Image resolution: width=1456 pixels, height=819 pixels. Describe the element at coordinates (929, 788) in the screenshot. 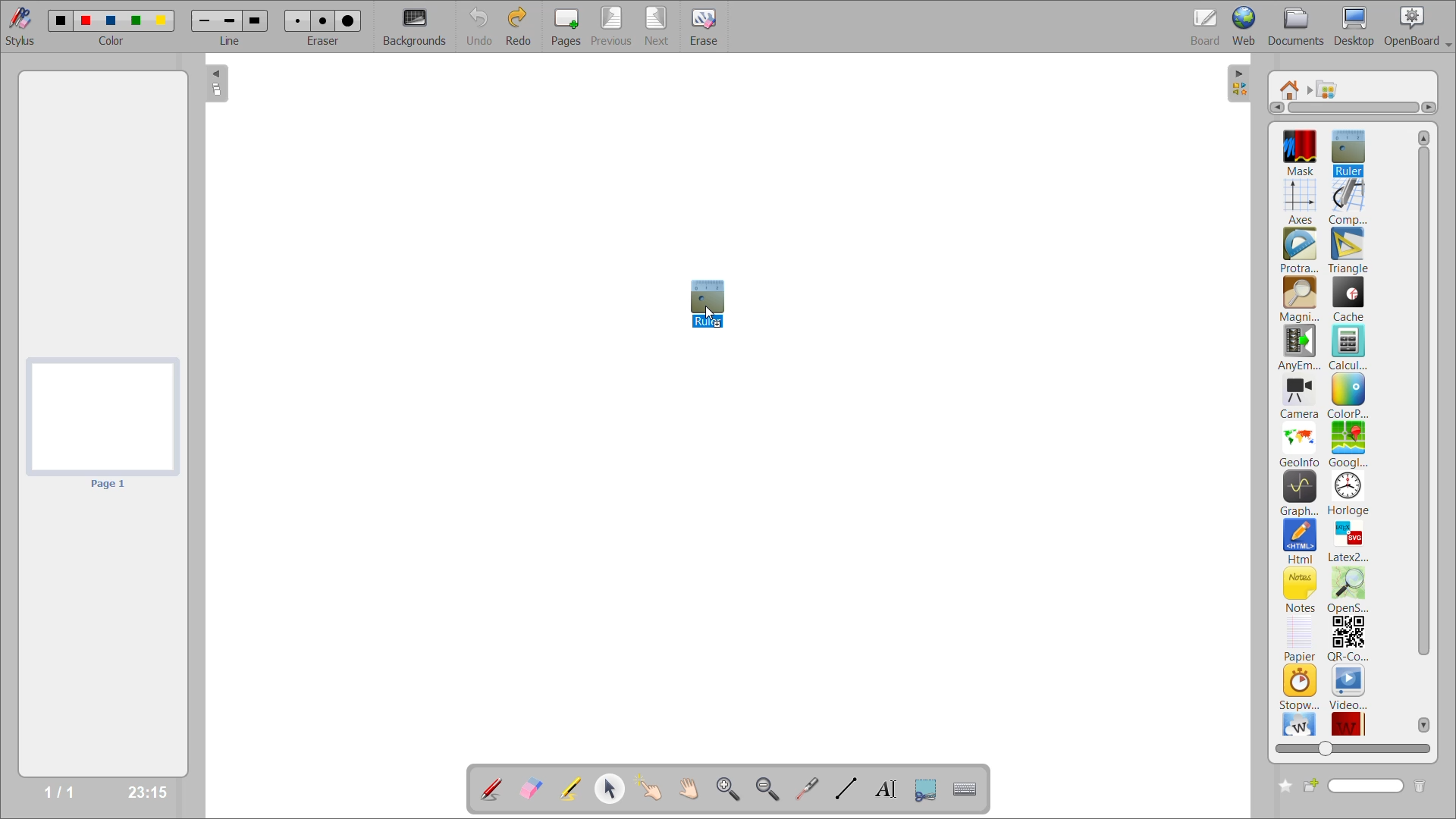

I see `capture part of the screen` at that location.